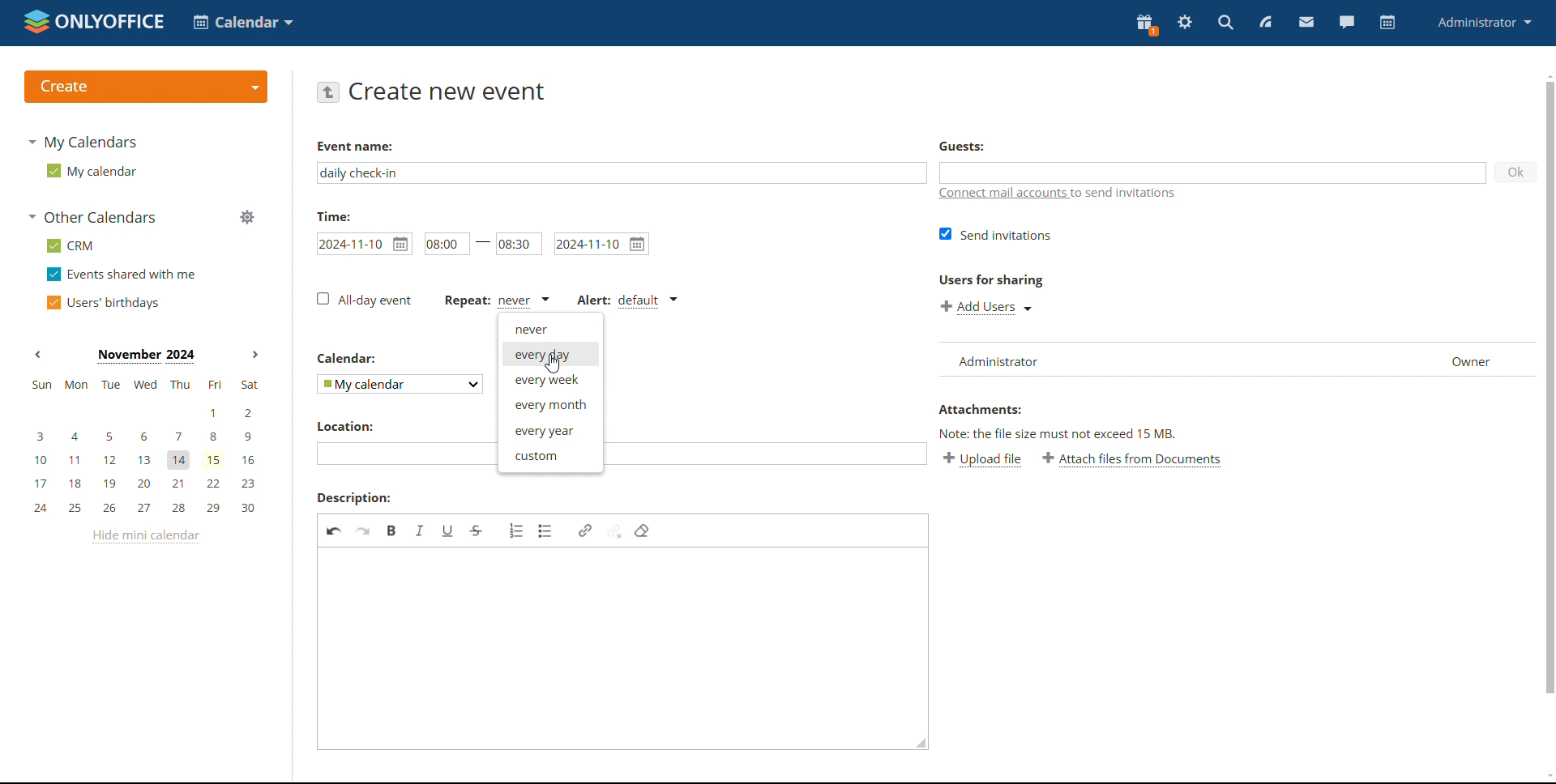  What do you see at coordinates (516, 530) in the screenshot?
I see `insert/remove numbered list` at bounding box center [516, 530].